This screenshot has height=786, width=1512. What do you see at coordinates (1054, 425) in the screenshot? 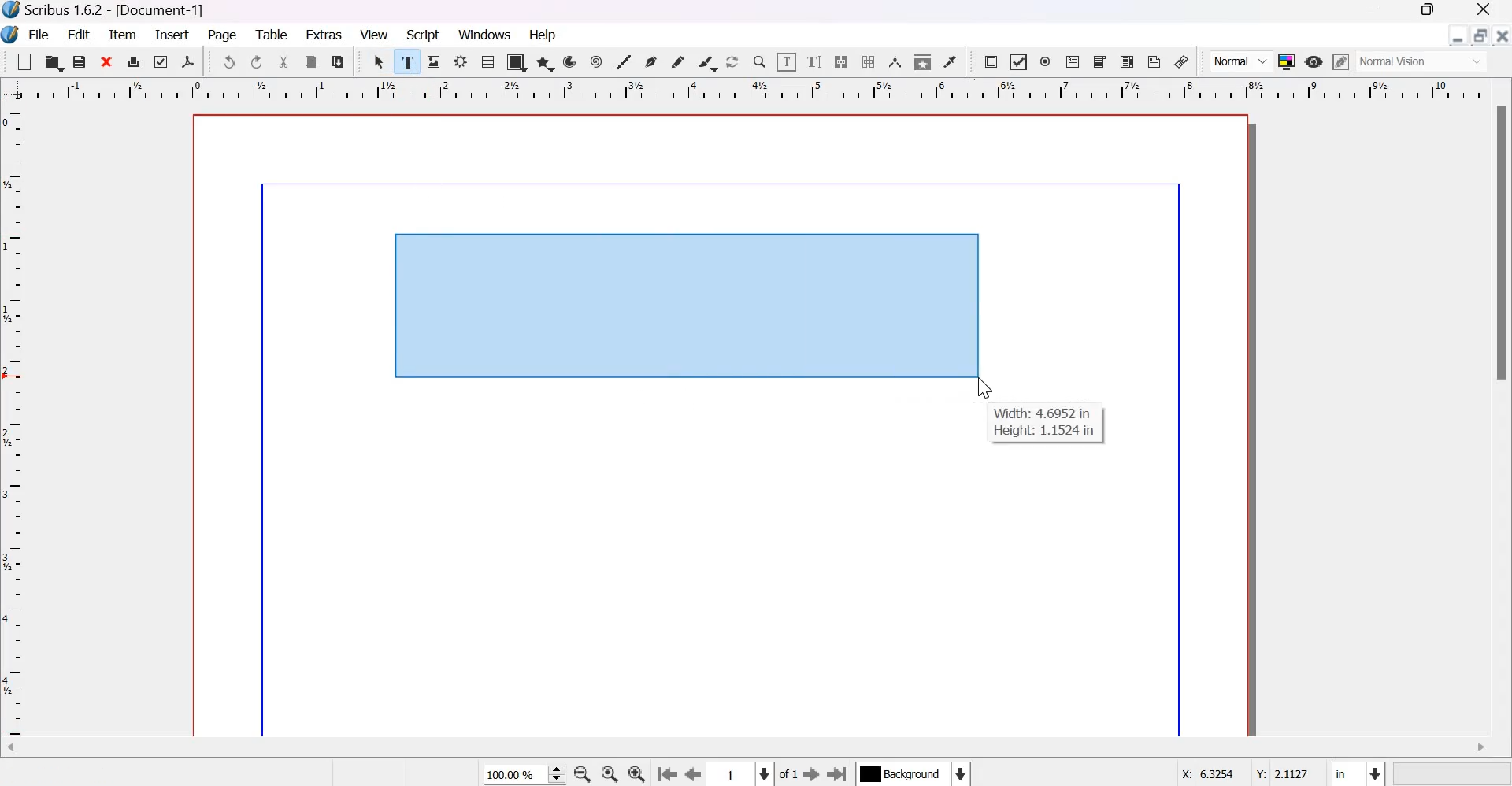
I see `Width: 4.6952 inHeight: 1.1524 in ` at bounding box center [1054, 425].